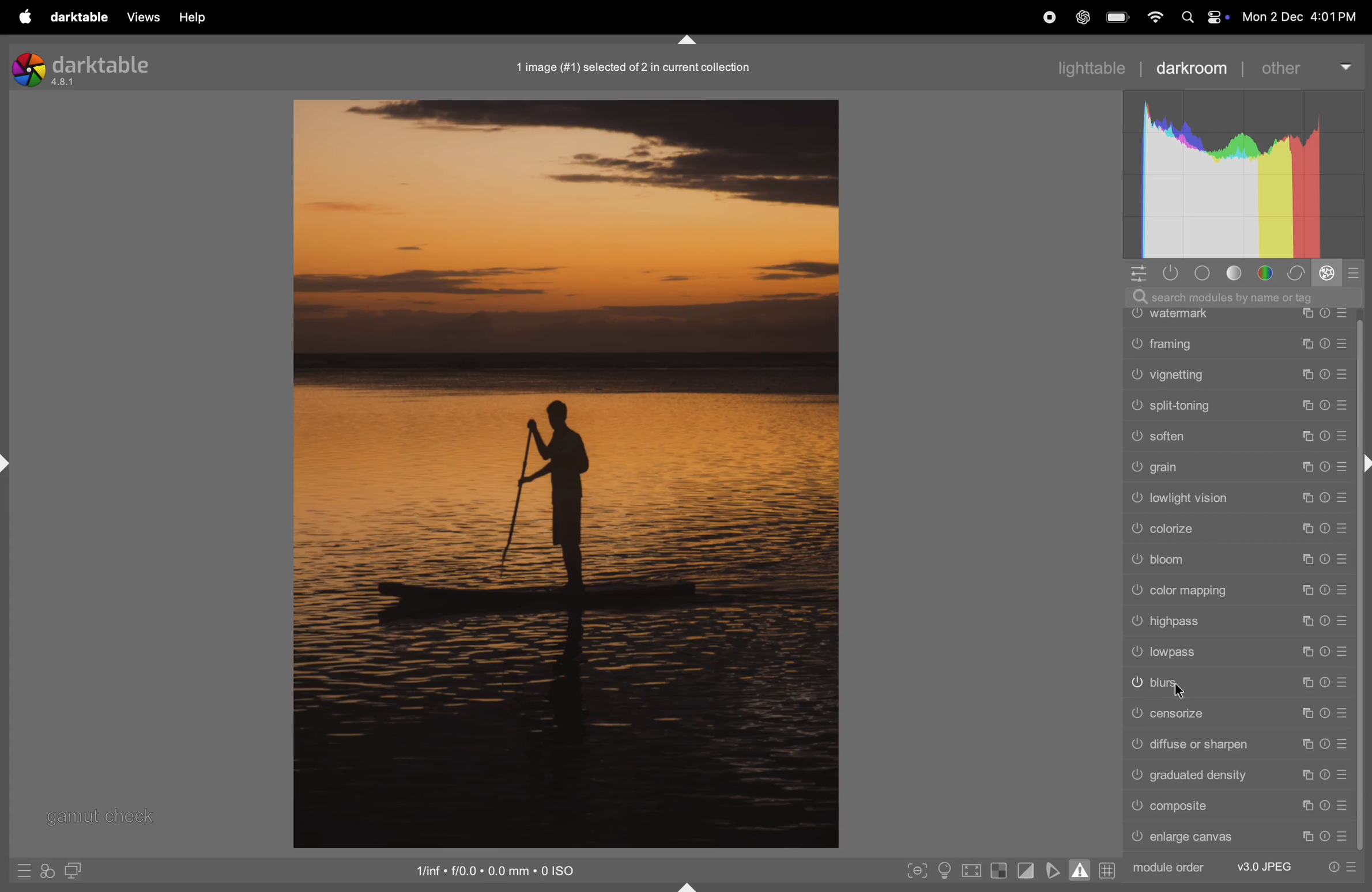 The width and height of the screenshot is (1372, 892). Describe the element at coordinates (1108, 870) in the screenshot. I see `grid` at that location.